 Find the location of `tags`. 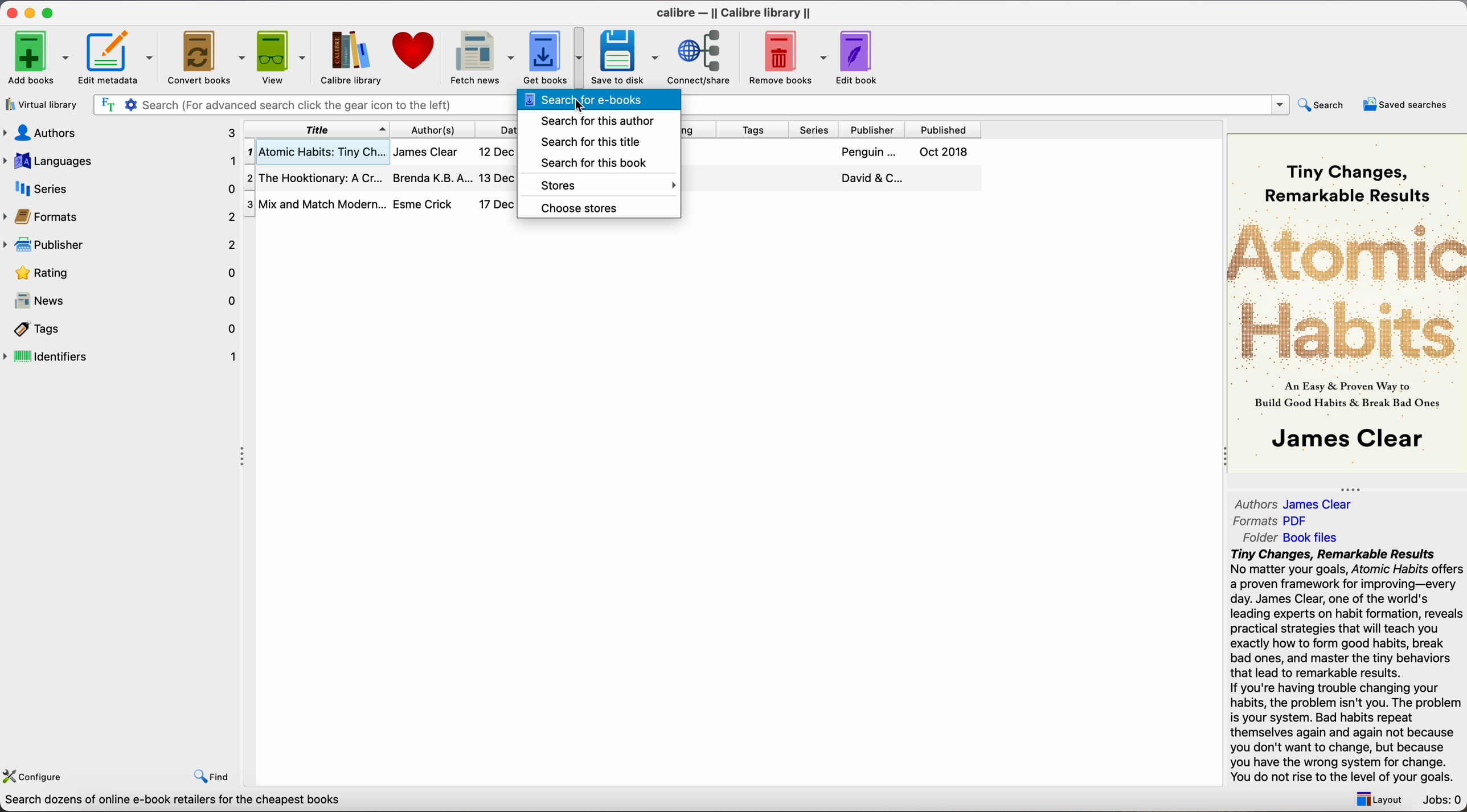

tags is located at coordinates (755, 130).